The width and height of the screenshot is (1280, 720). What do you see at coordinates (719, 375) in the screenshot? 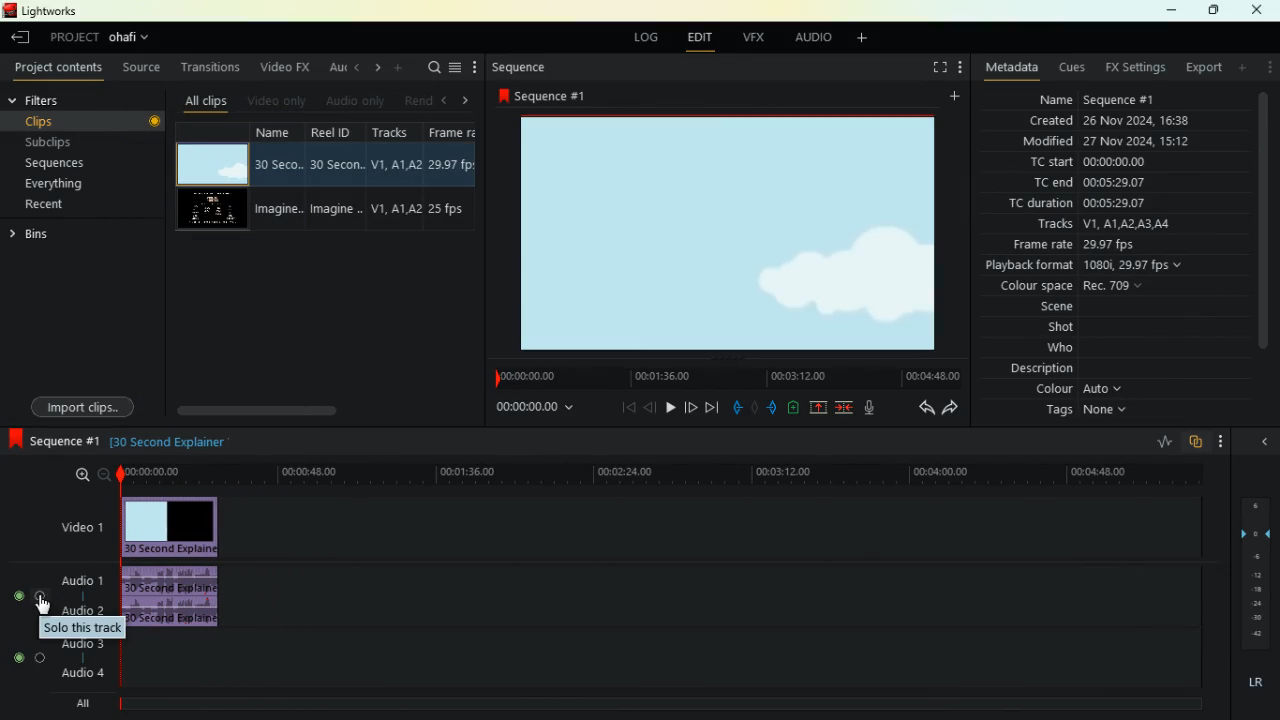
I see `timeline` at bounding box center [719, 375].